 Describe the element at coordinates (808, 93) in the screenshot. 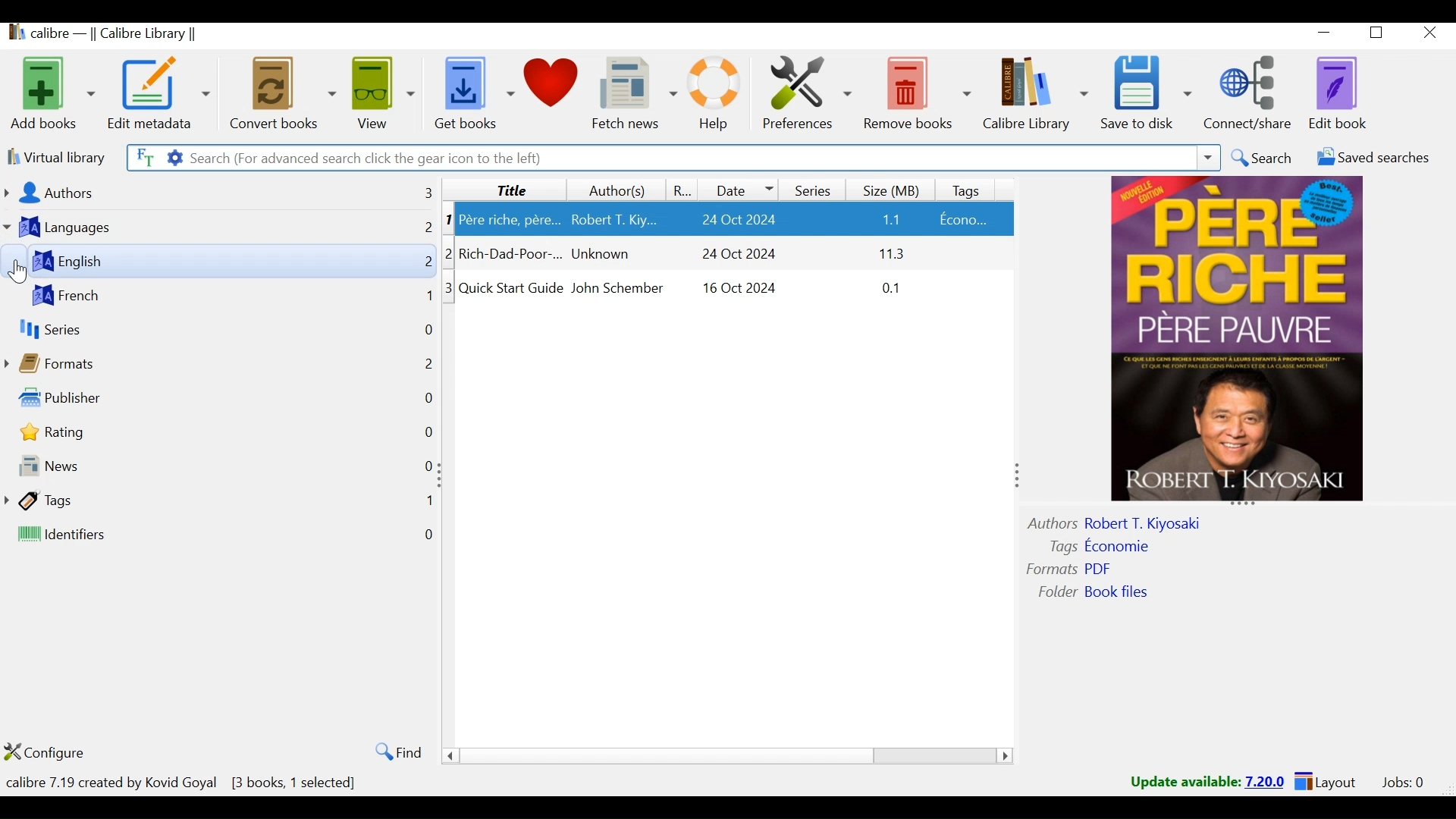

I see `Preferences` at that location.